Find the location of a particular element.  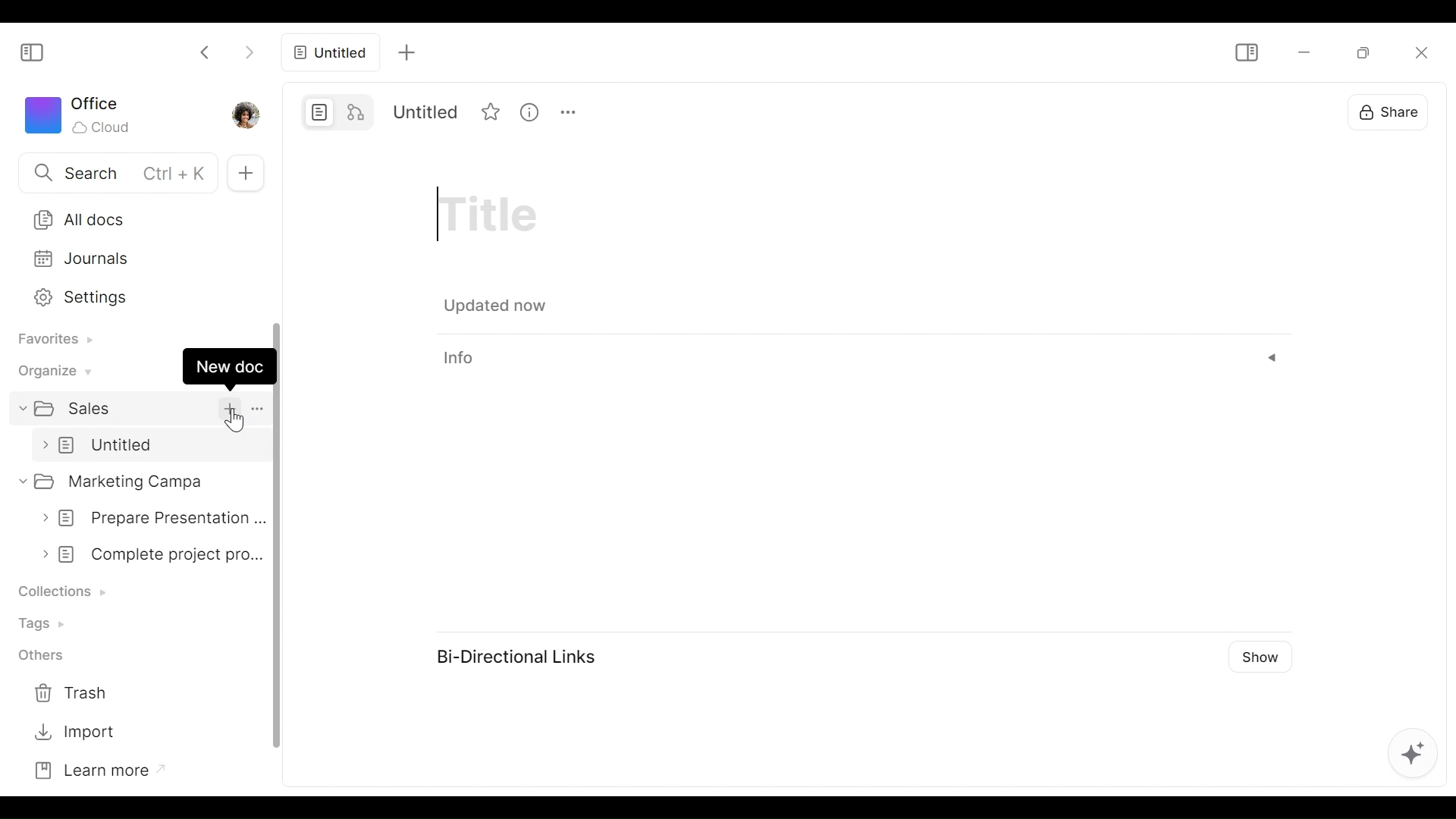

Learn more is located at coordinates (96, 769).